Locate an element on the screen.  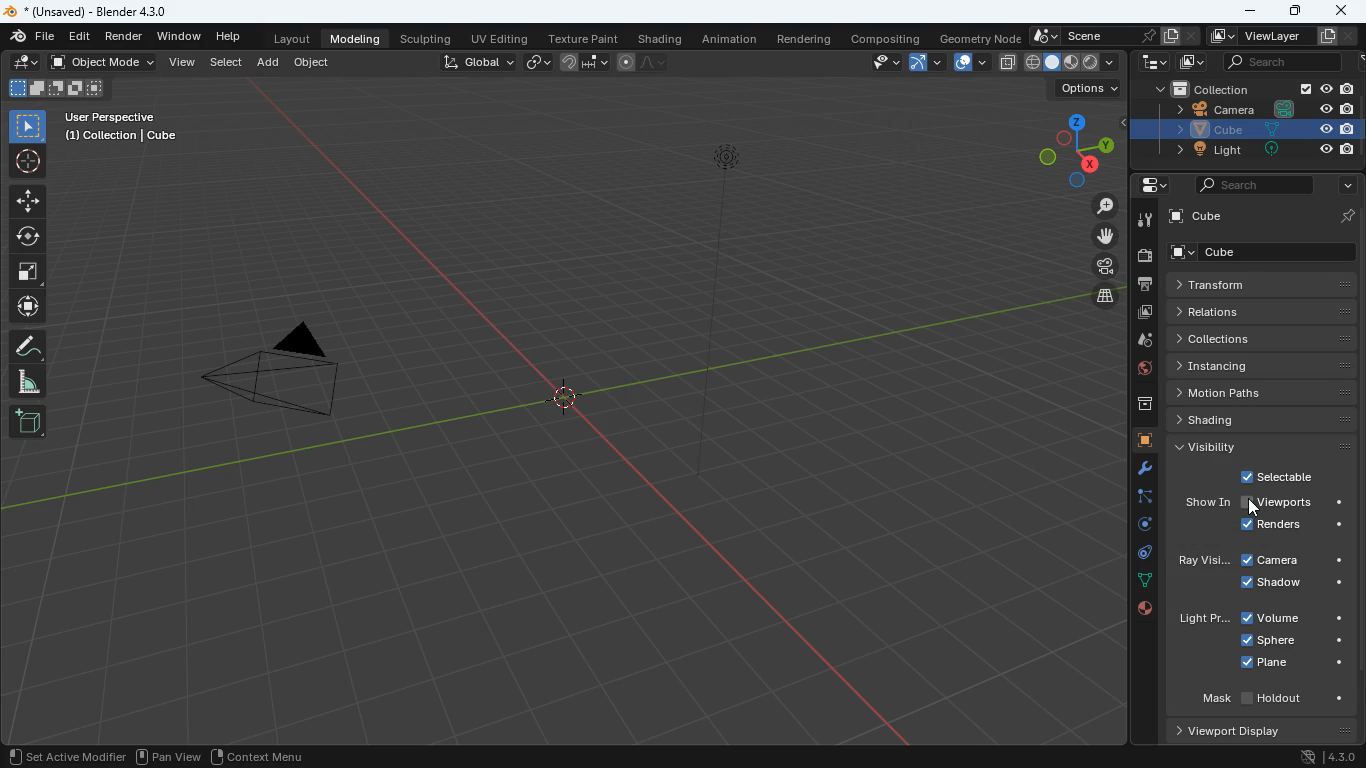
public is located at coordinates (1139, 608).